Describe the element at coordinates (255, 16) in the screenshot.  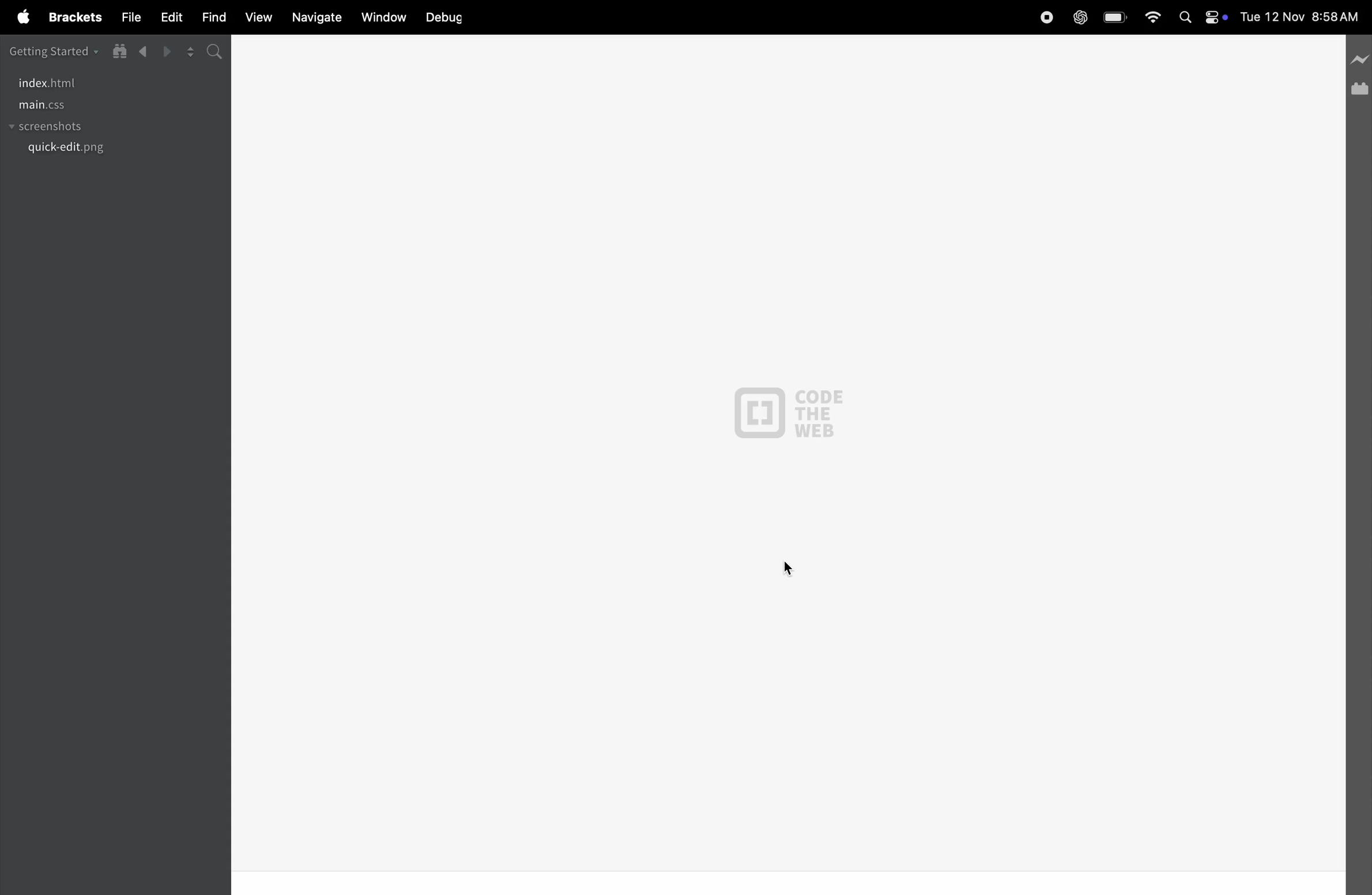
I see `view` at that location.